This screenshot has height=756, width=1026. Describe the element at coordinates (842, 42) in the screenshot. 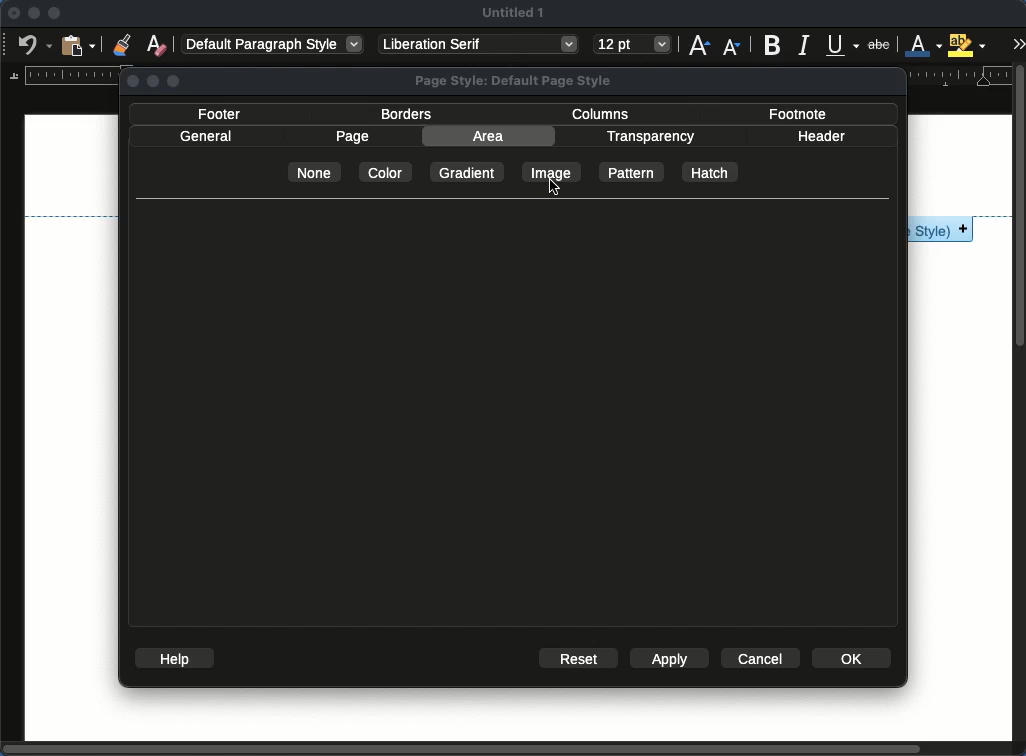

I see `underline` at that location.